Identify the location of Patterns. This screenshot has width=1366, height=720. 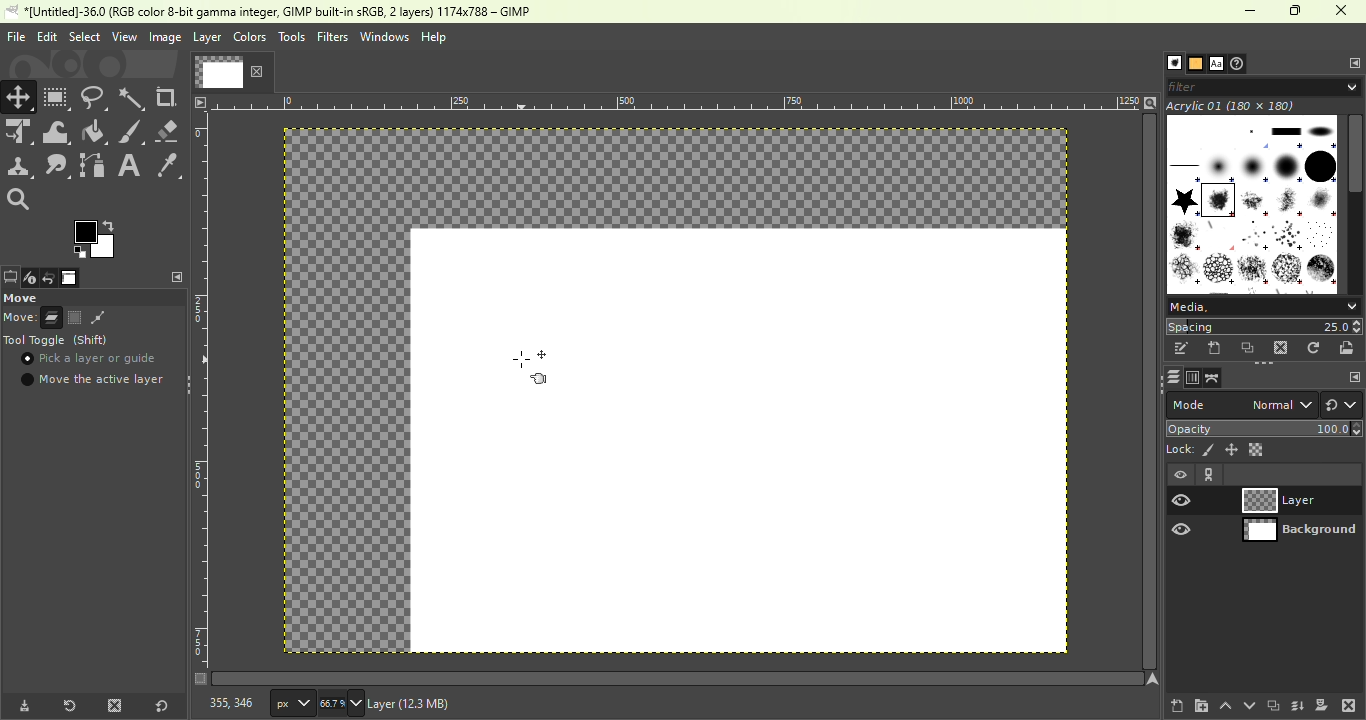
(1194, 62).